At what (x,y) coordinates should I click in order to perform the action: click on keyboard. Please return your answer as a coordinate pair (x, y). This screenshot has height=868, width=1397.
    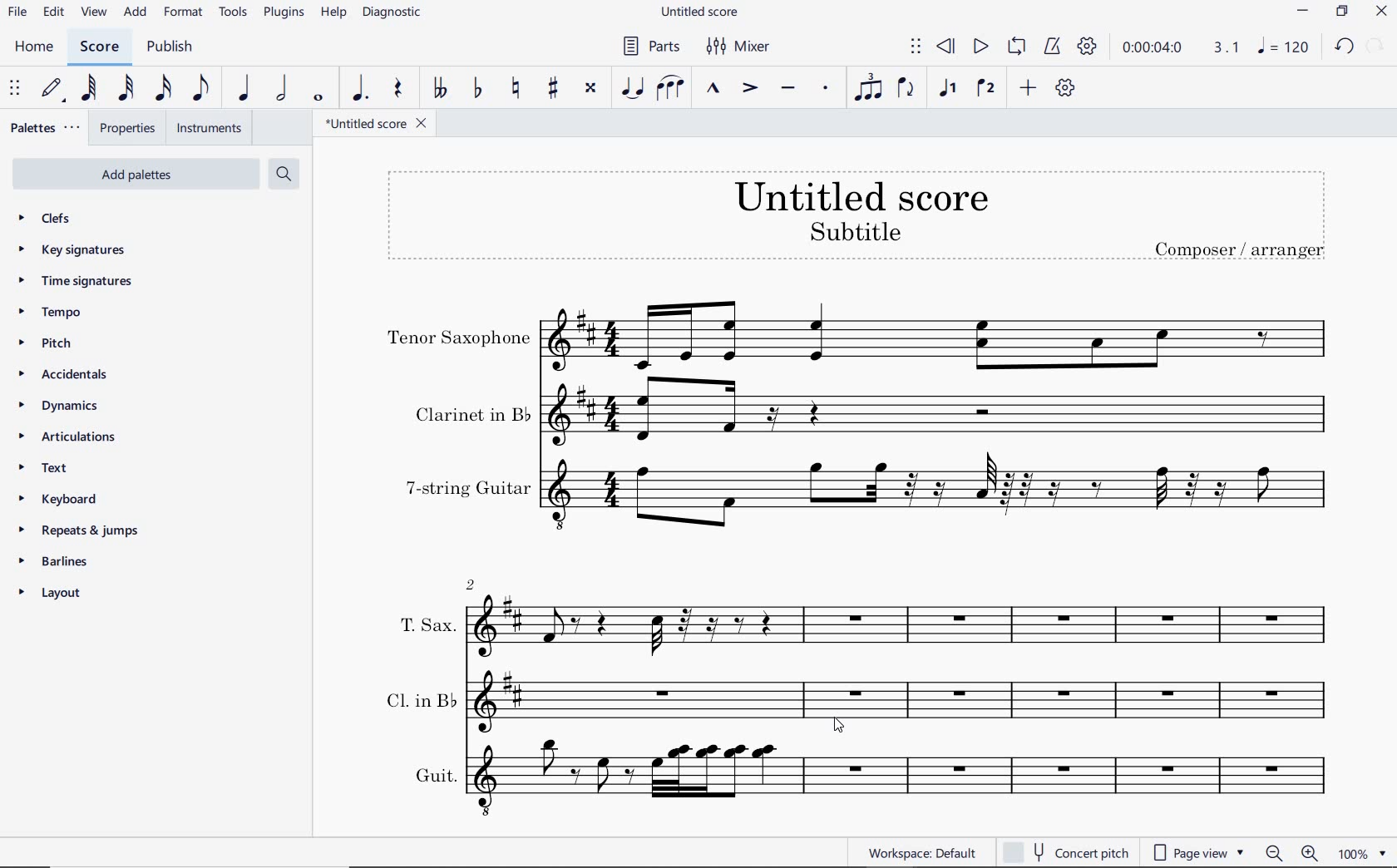
    Looking at the image, I should click on (62, 498).